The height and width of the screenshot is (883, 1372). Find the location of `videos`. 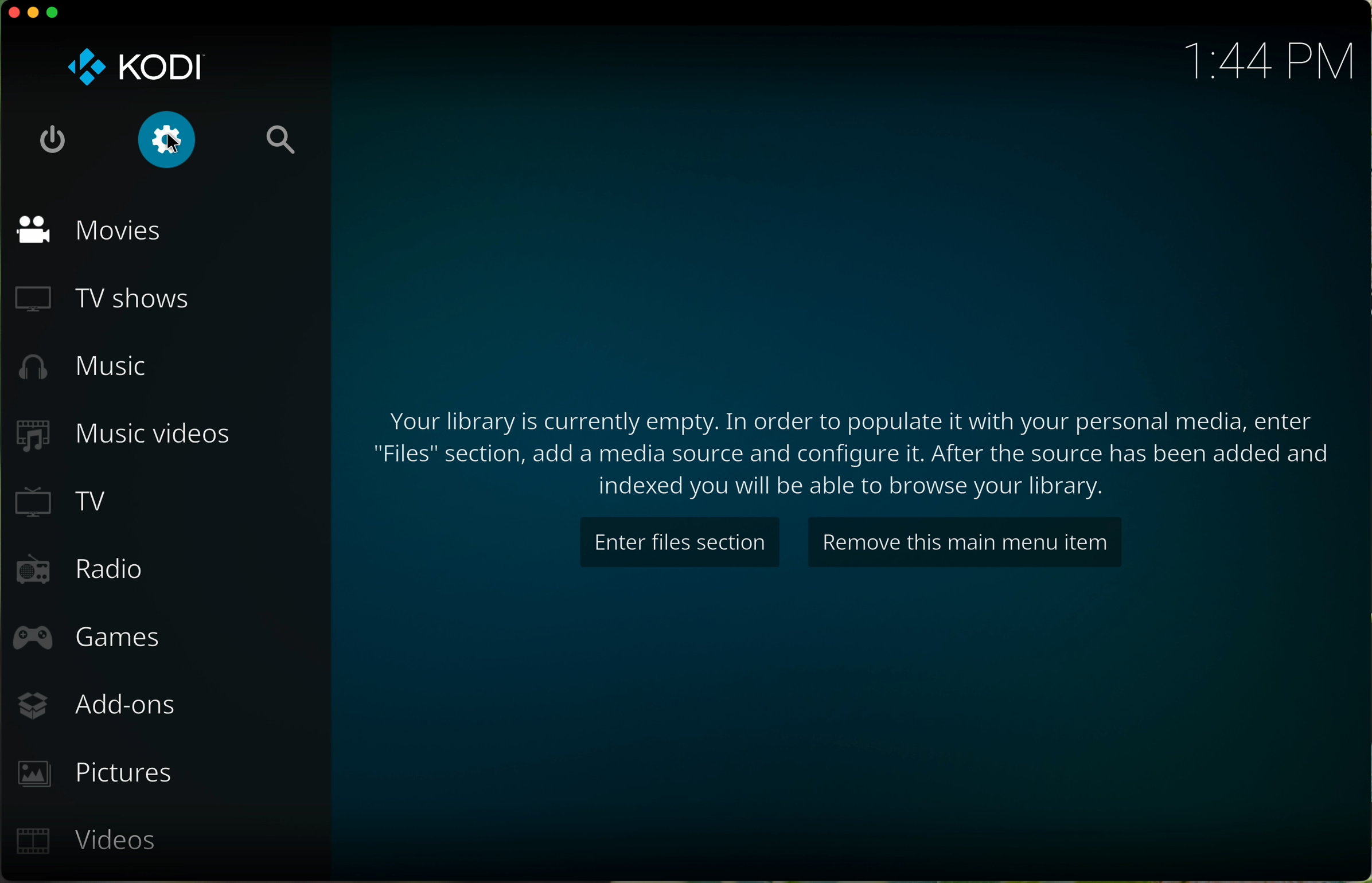

videos is located at coordinates (87, 841).